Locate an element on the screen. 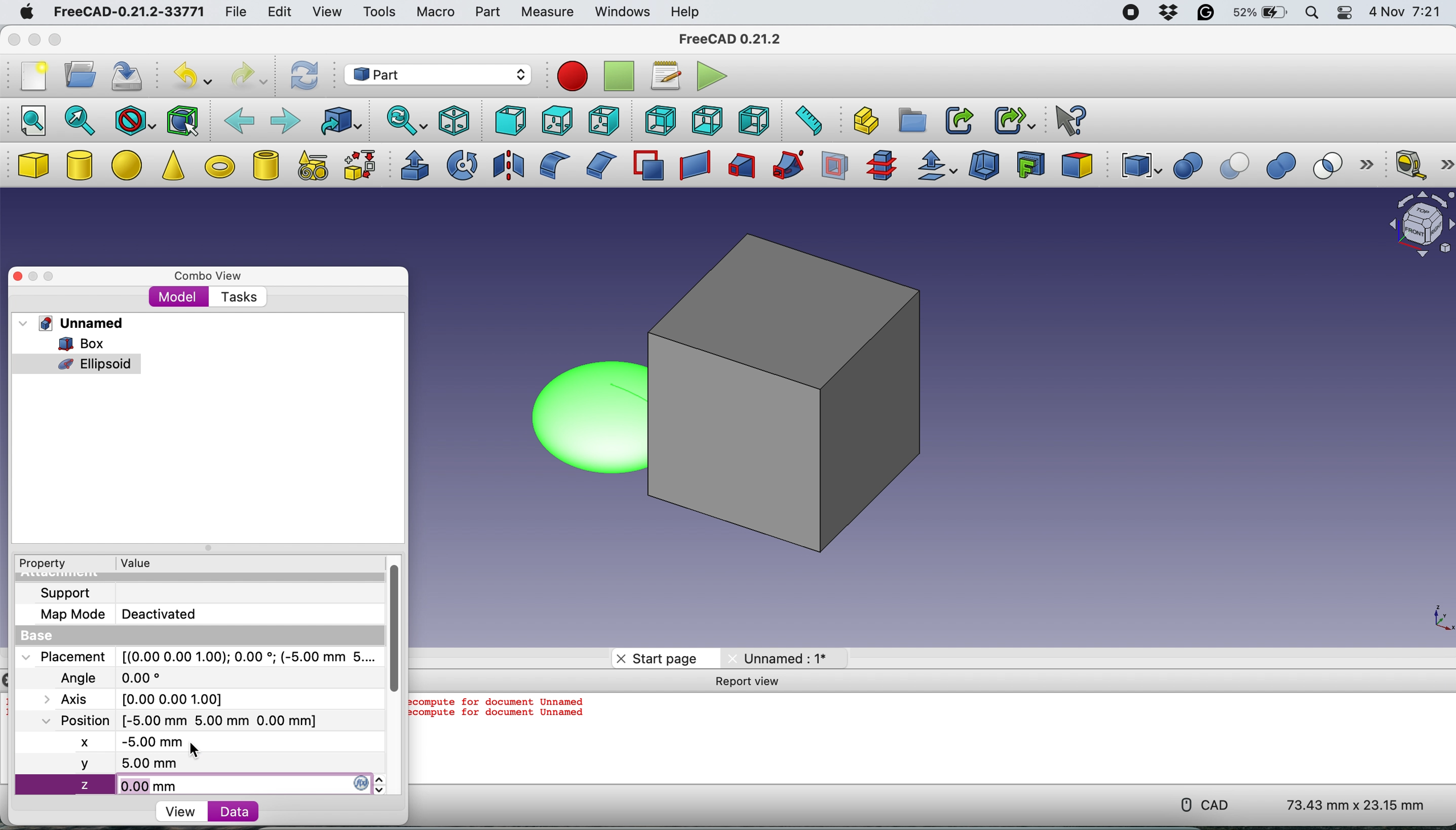 This screenshot has width=1456, height=830. edit is located at coordinates (276, 13).